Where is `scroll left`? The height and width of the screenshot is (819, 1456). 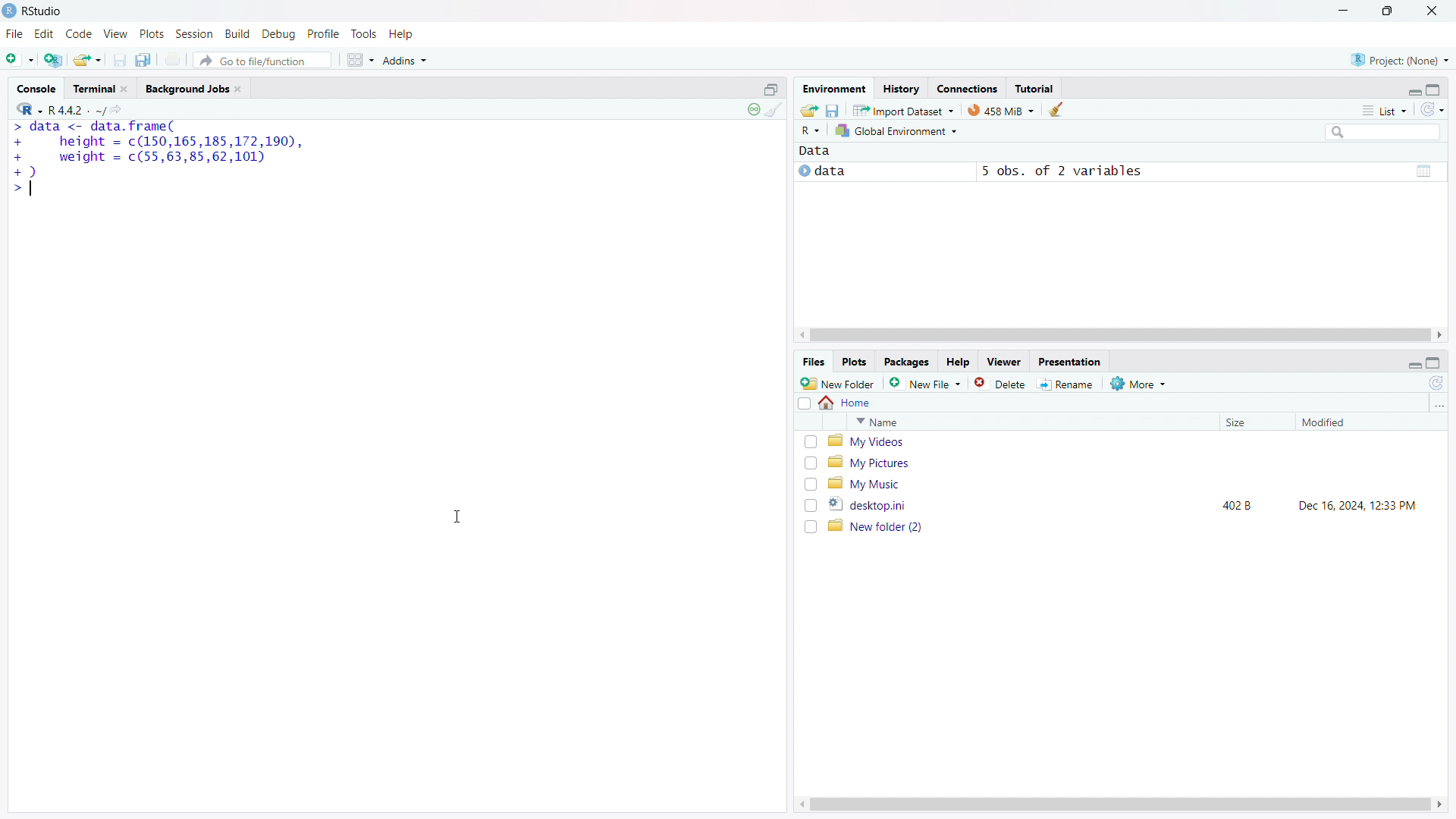 scroll left is located at coordinates (799, 805).